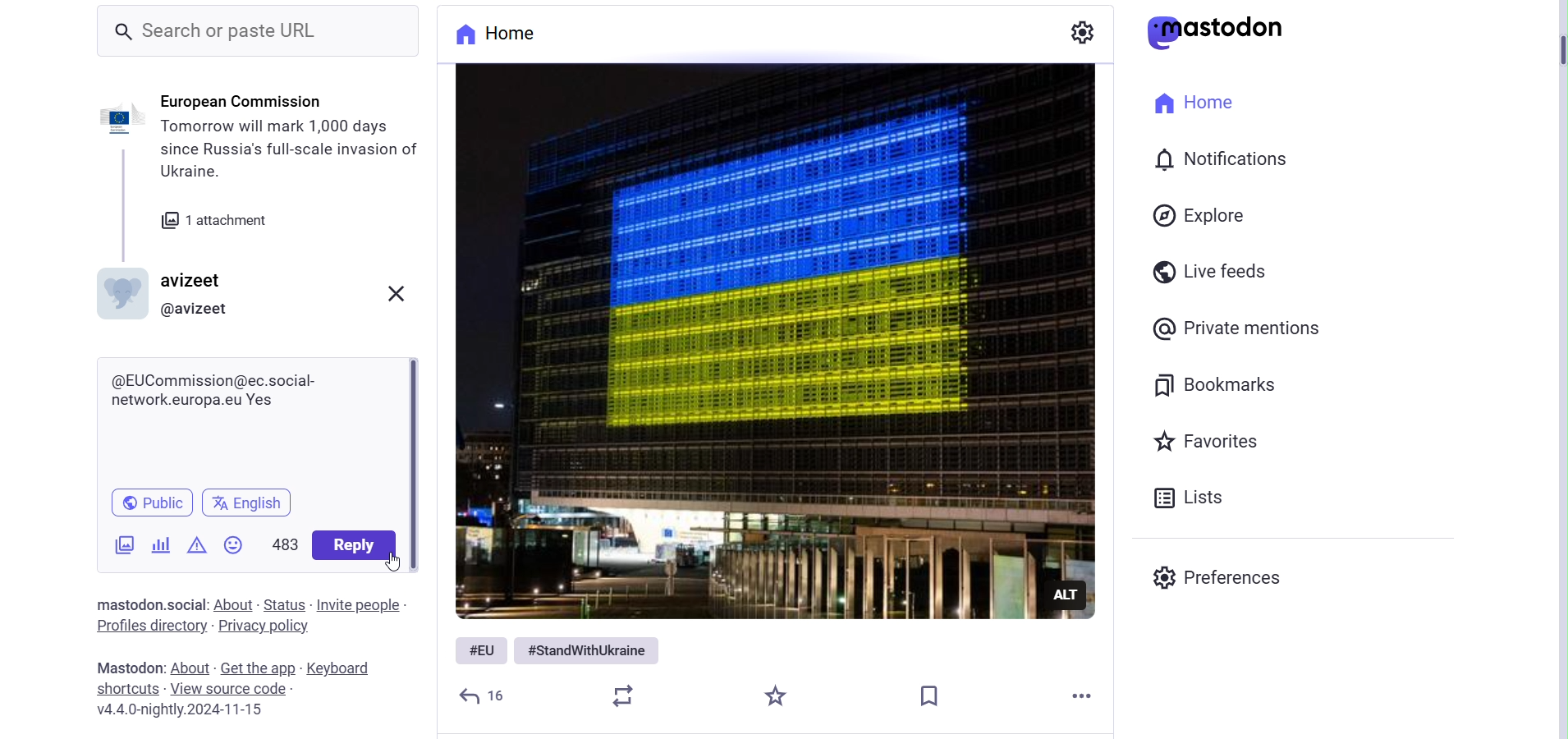 Image resolution: width=1568 pixels, height=739 pixels. Describe the element at coordinates (236, 688) in the screenshot. I see `View Source Code` at that location.